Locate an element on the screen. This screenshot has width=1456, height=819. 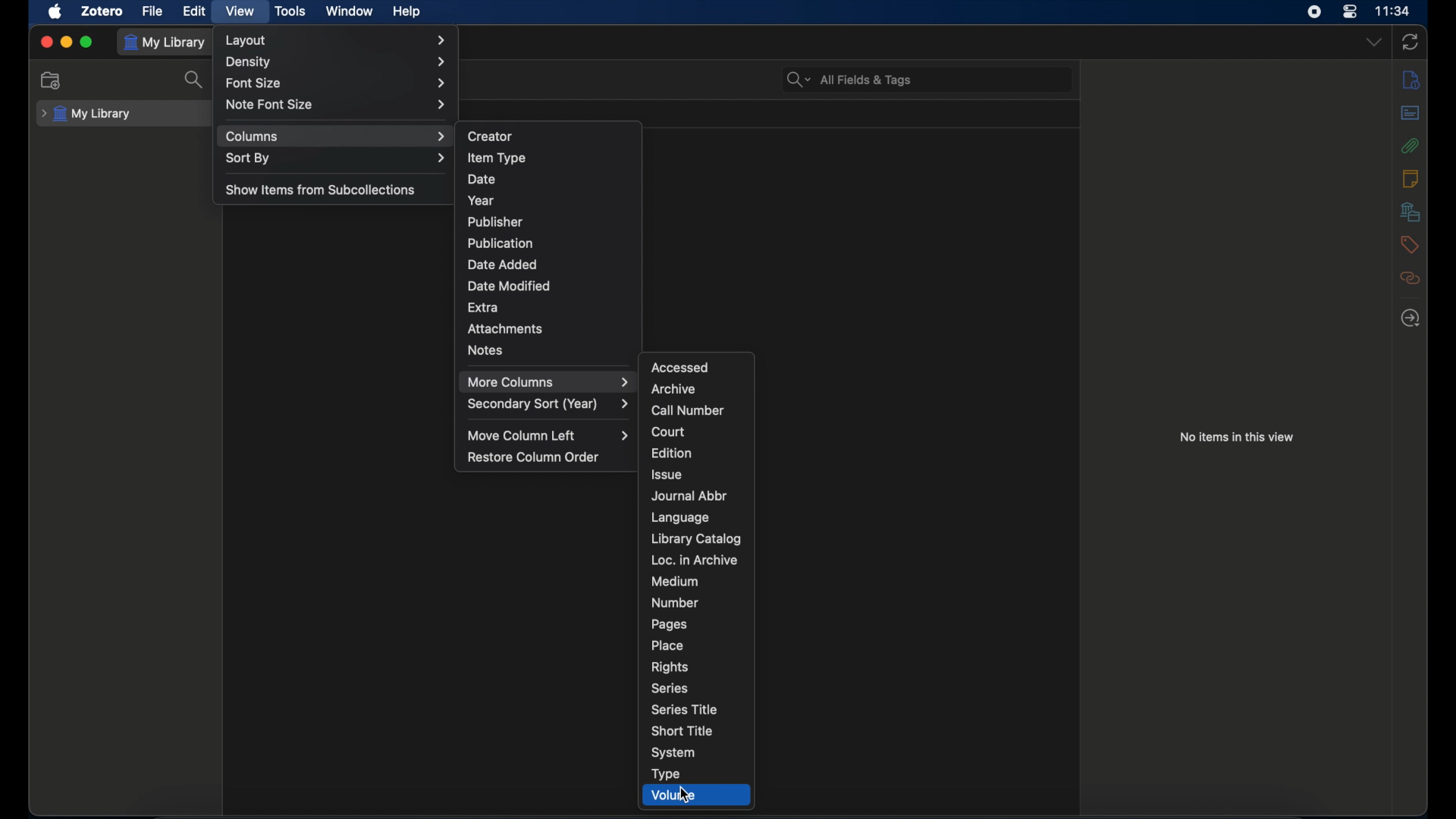
zotero is located at coordinates (102, 11).